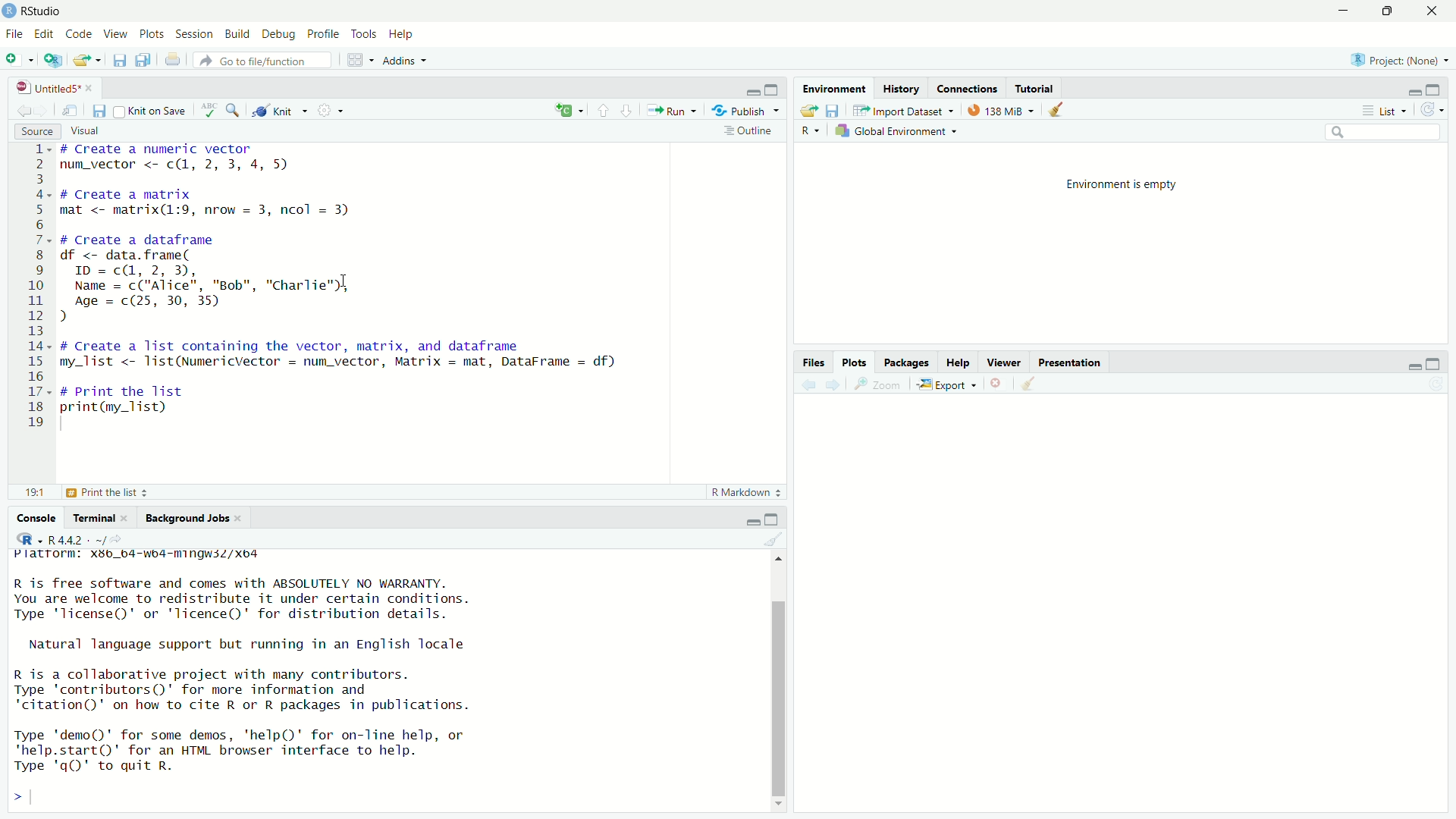 The height and width of the screenshot is (819, 1456). What do you see at coordinates (1432, 108) in the screenshot?
I see `refresh` at bounding box center [1432, 108].